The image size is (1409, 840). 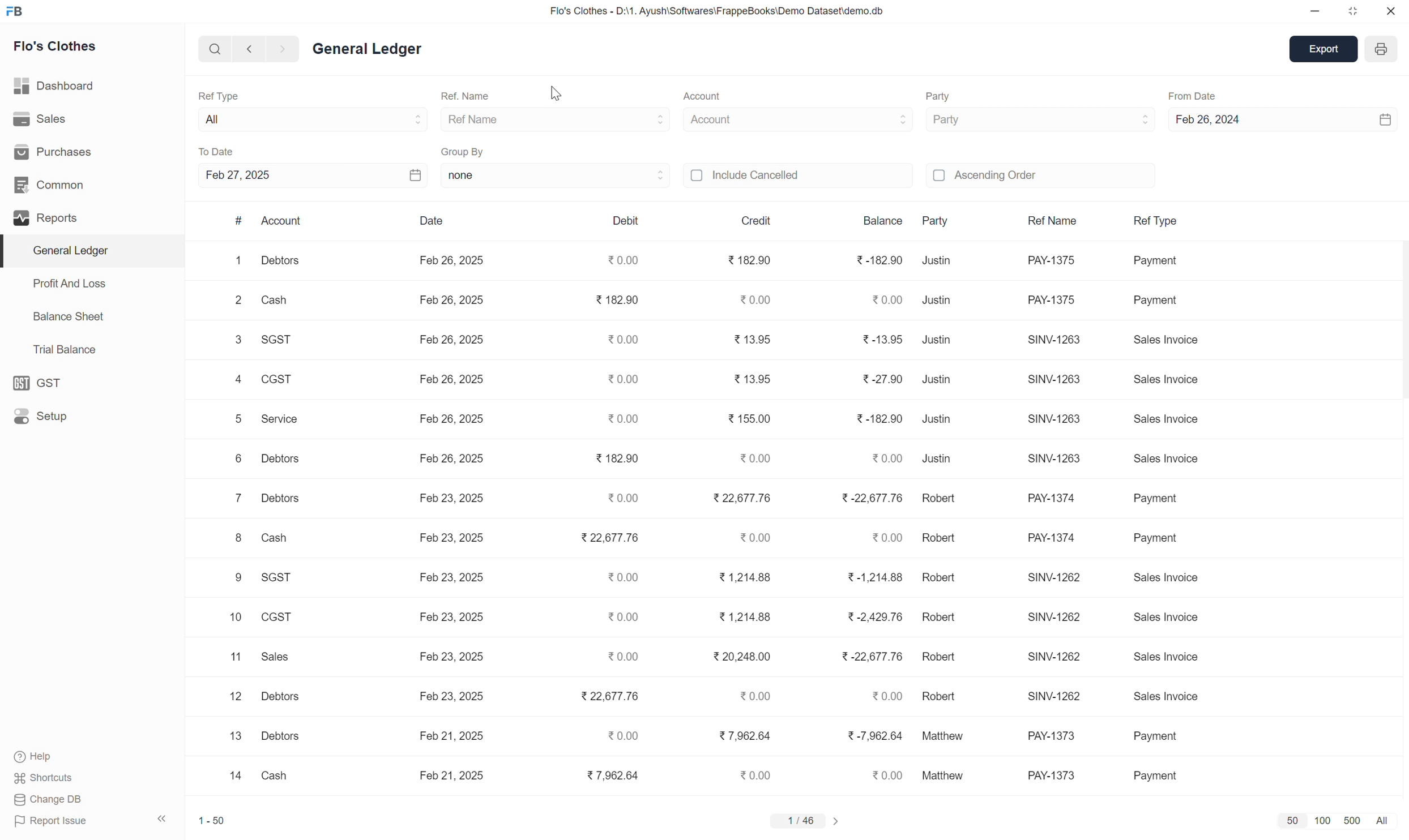 What do you see at coordinates (1054, 738) in the screenshot?
I see `SINV-1262` at bounding box center [1054, 738].